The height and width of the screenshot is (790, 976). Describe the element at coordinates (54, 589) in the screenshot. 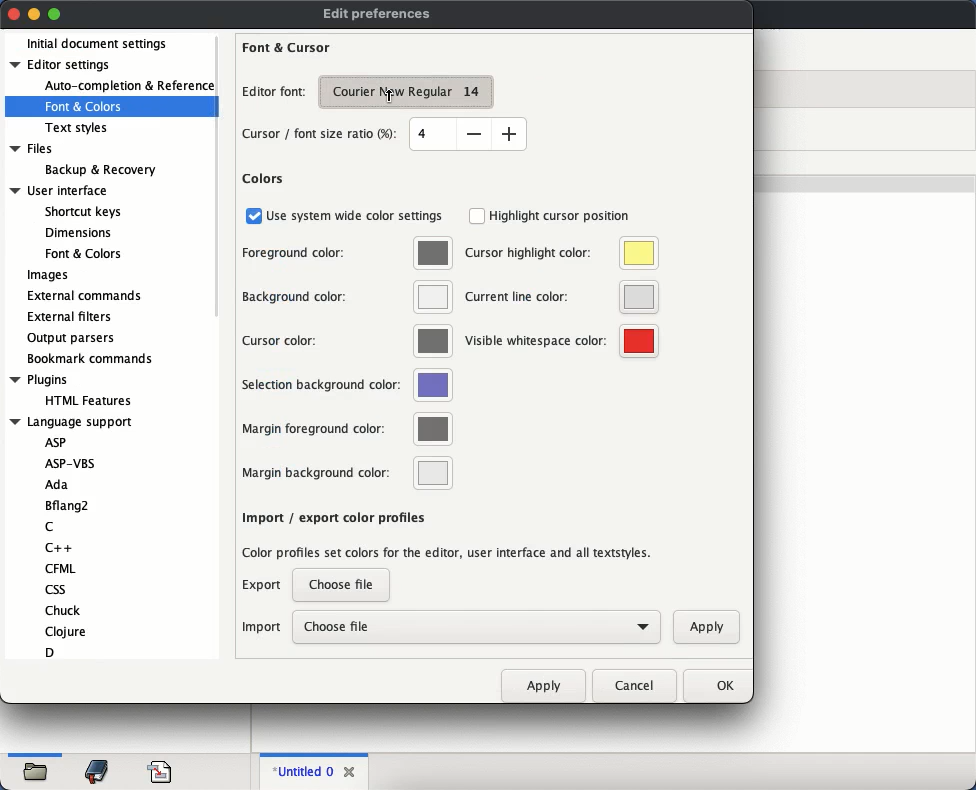

I see `css` at that location.